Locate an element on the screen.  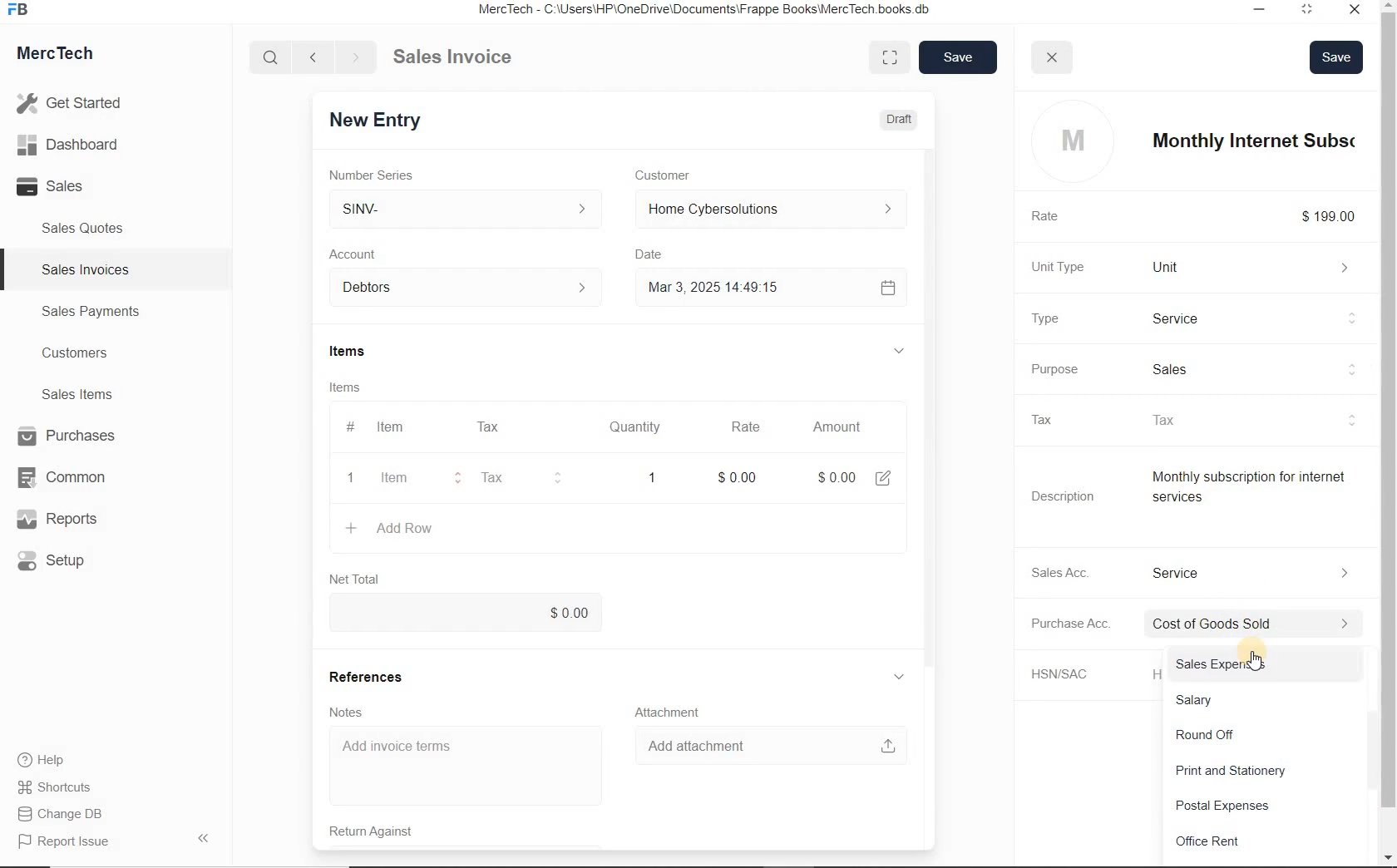
Reports is located at coordinates (70, 520).